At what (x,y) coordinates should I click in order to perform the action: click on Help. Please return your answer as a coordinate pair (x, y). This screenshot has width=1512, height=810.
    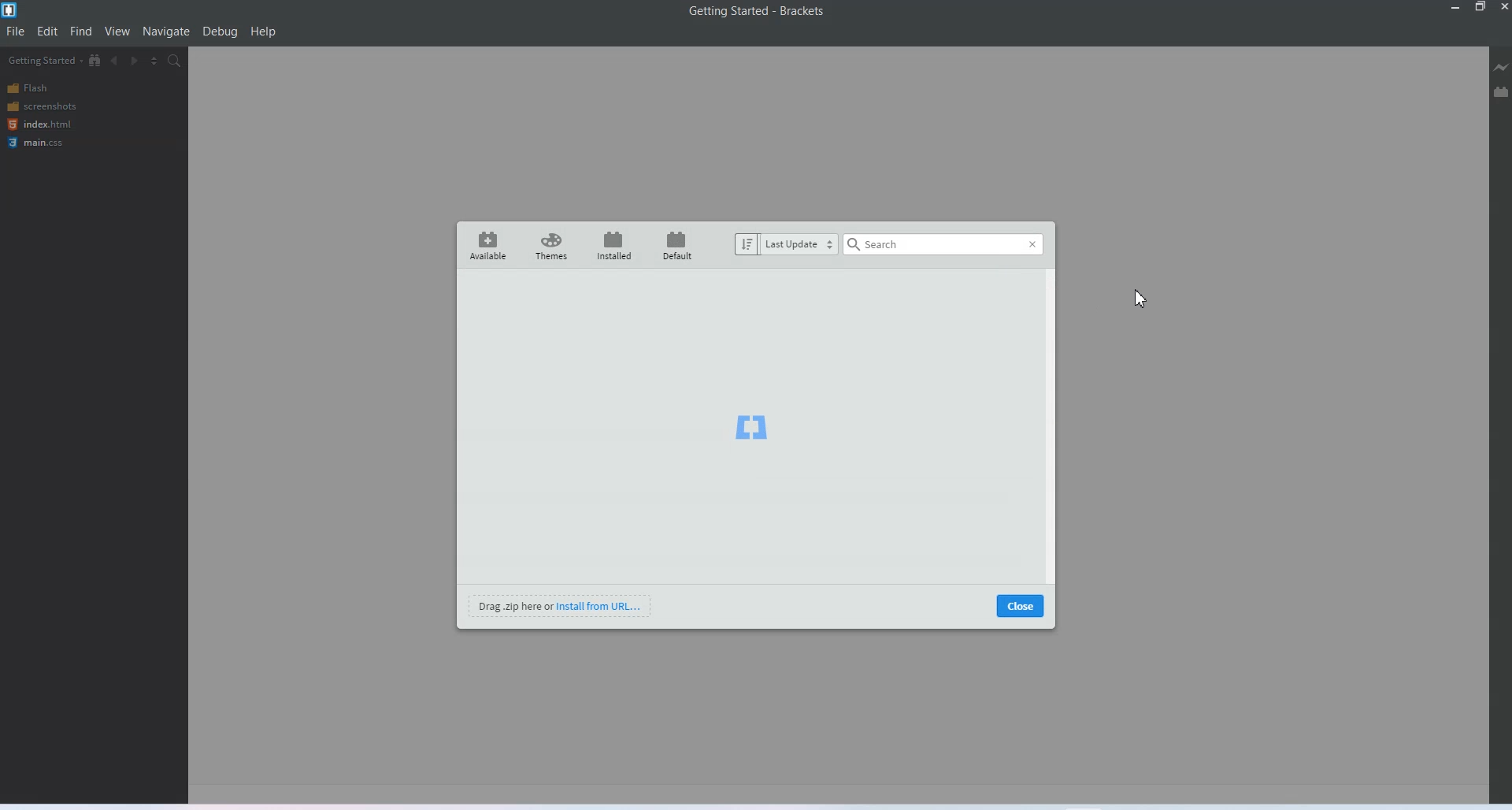
    Looking at the image, I should click on (264, 32).